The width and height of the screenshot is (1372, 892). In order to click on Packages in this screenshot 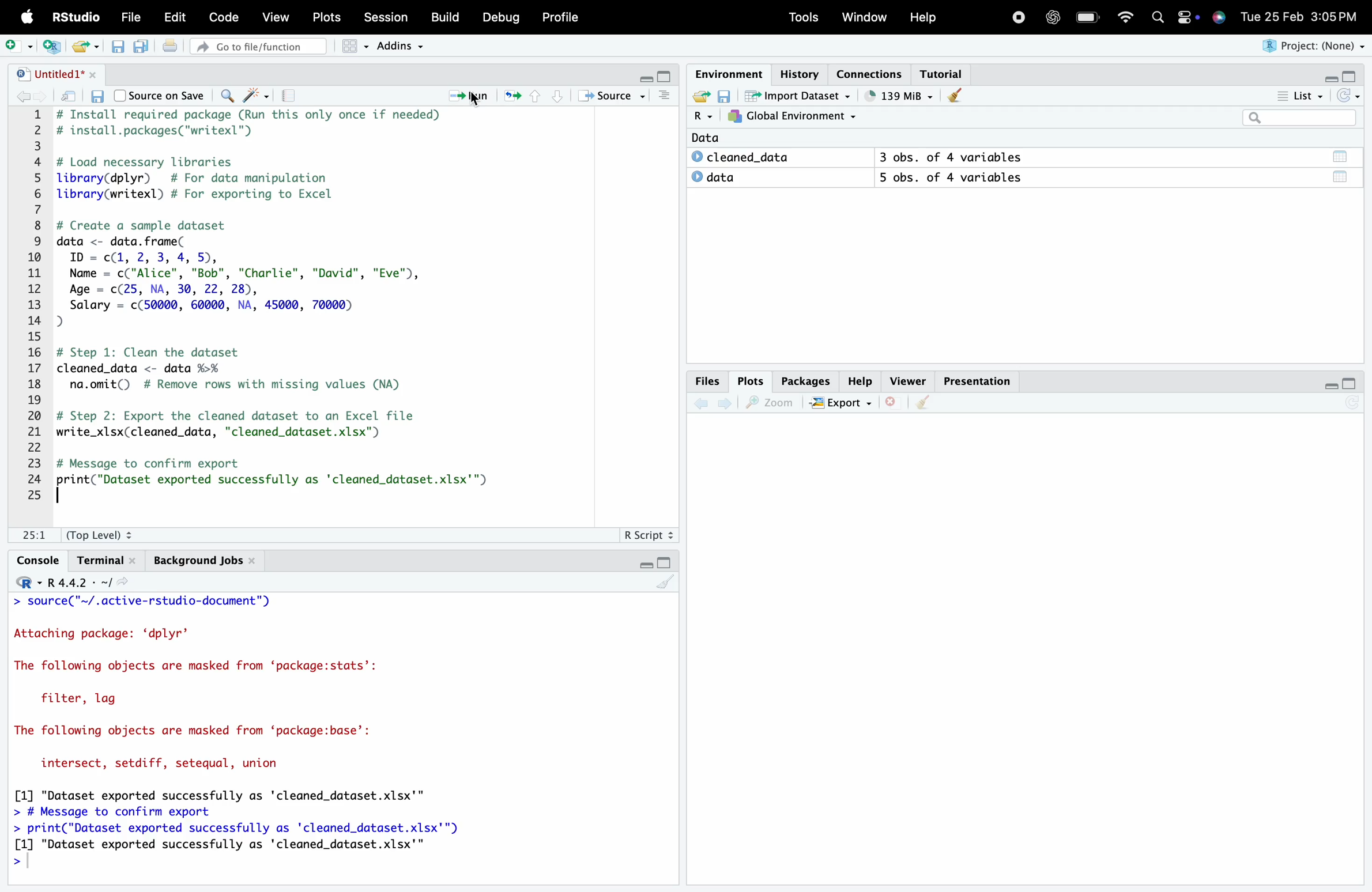, I will do `click(806, 381)`.